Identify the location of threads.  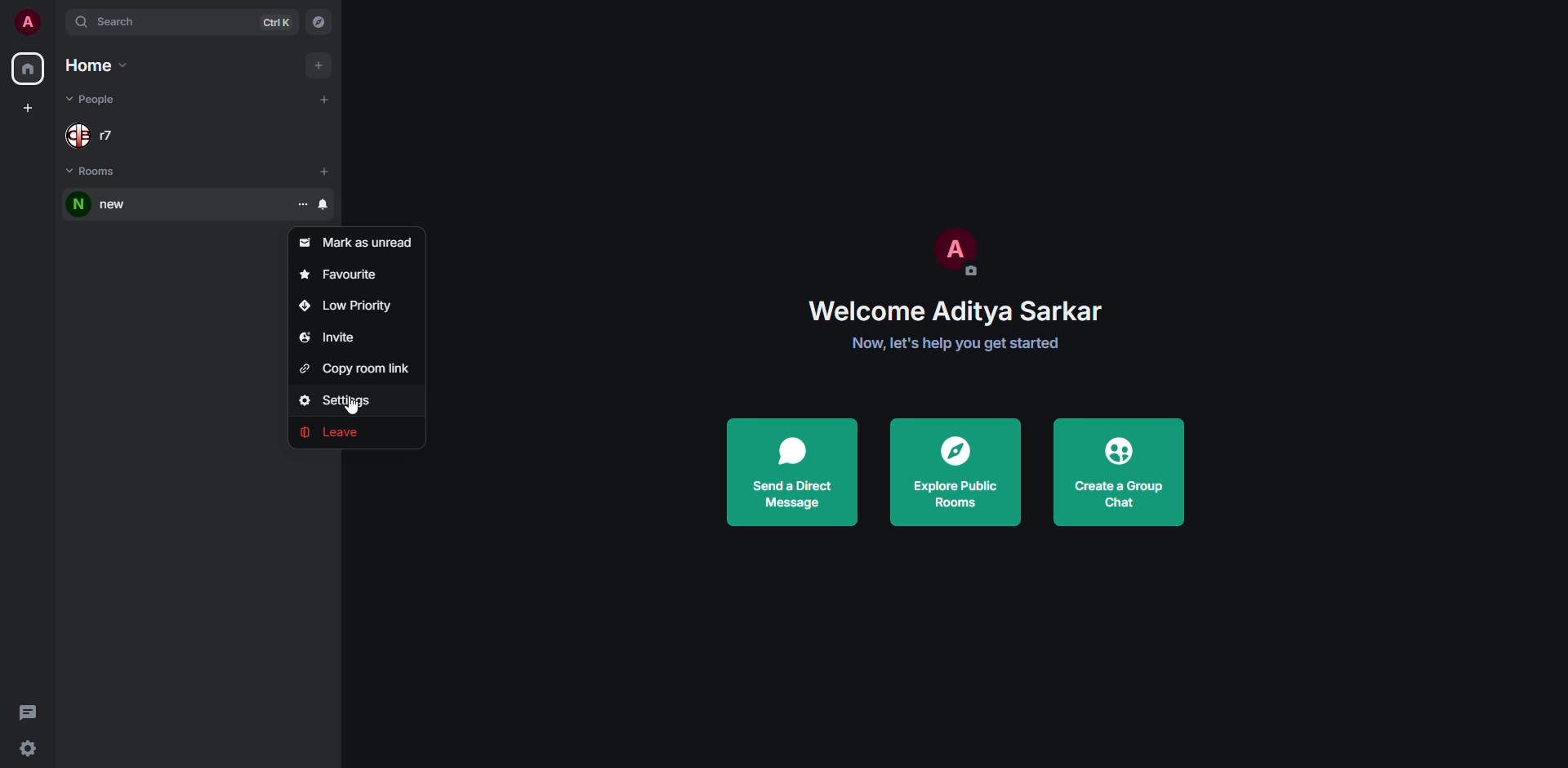
(28, 711).